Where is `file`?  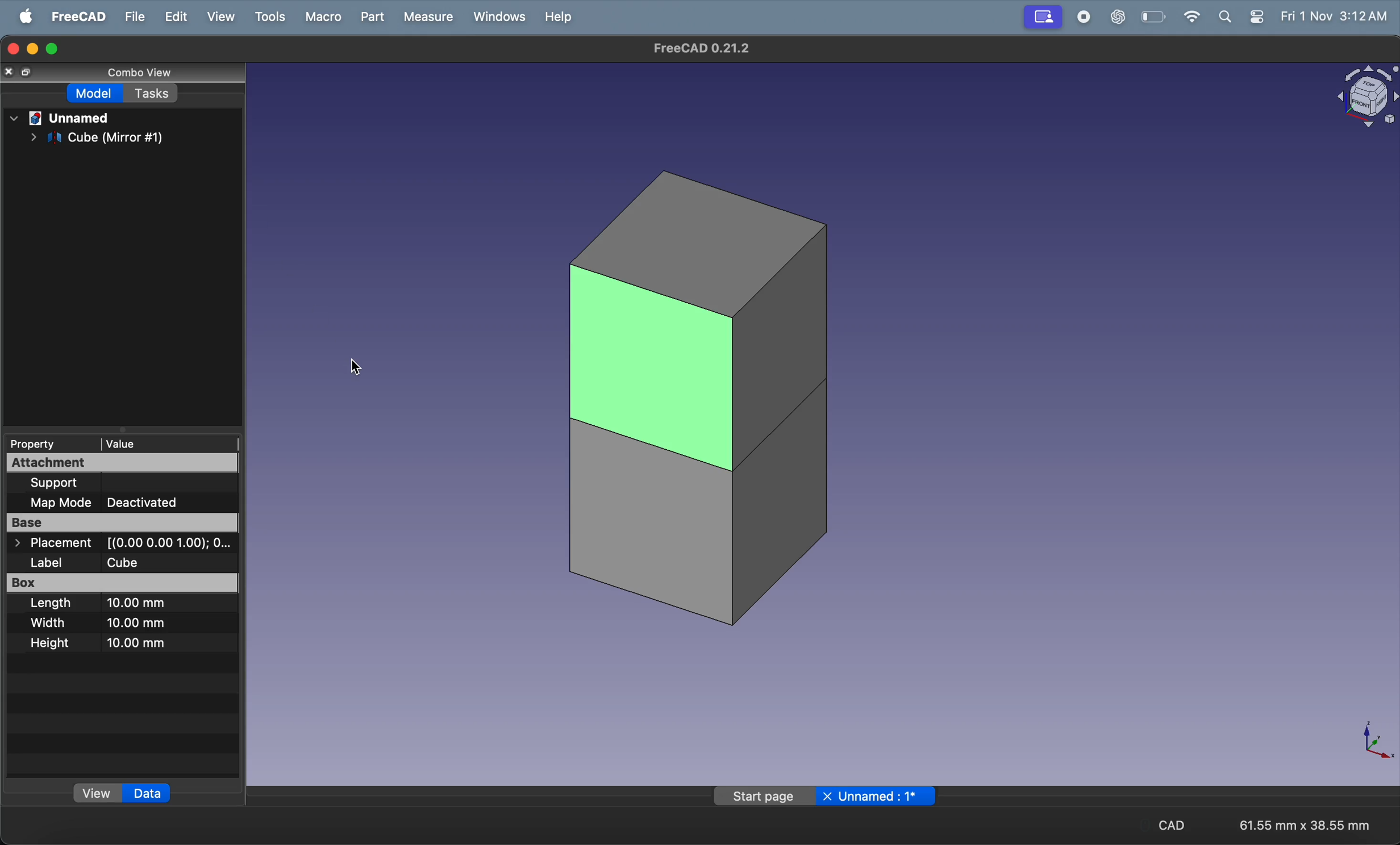 file is located at coordinates (132, 17).